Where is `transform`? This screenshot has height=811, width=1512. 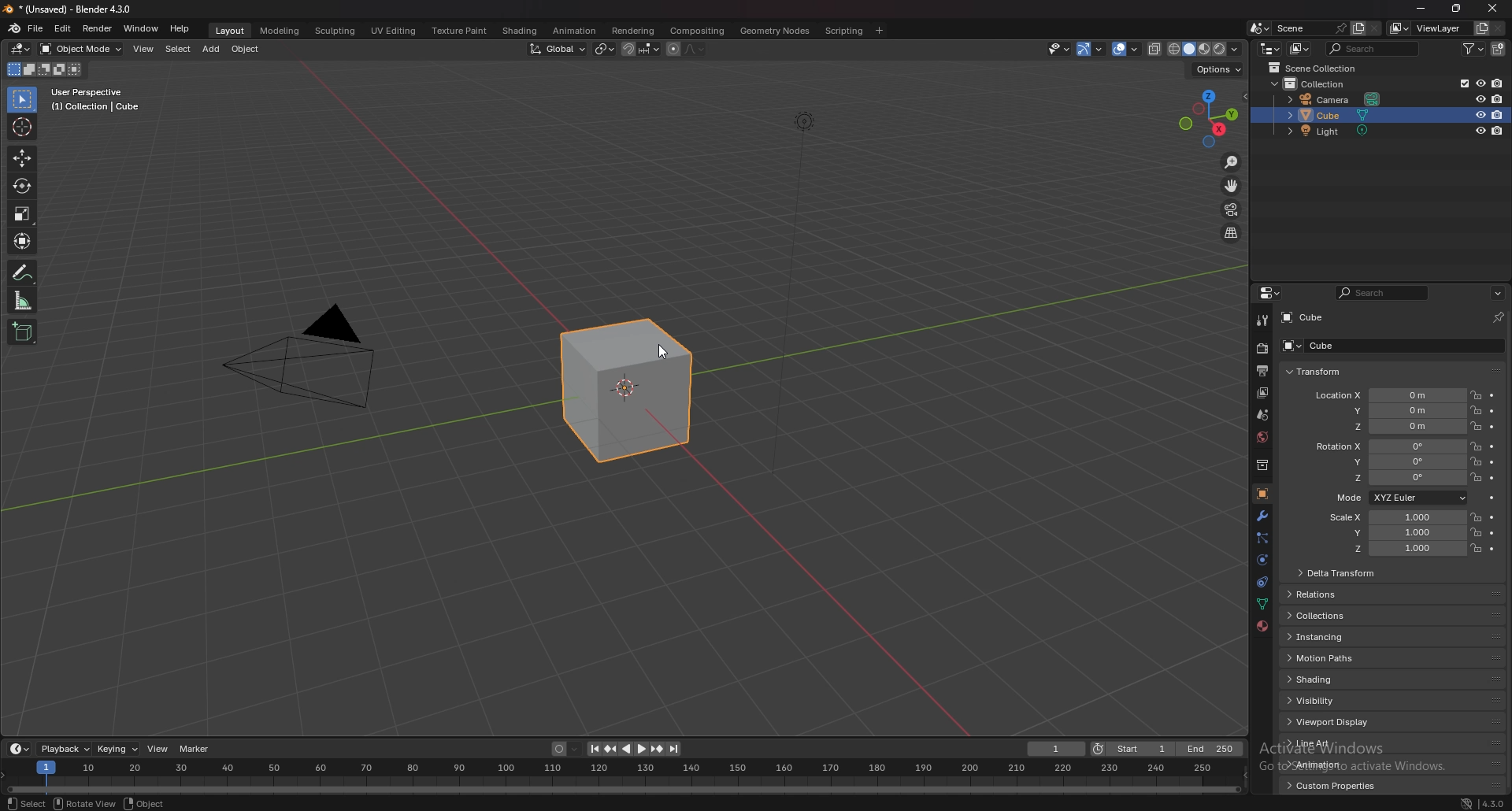 transform is located at coordinates (23, 240).